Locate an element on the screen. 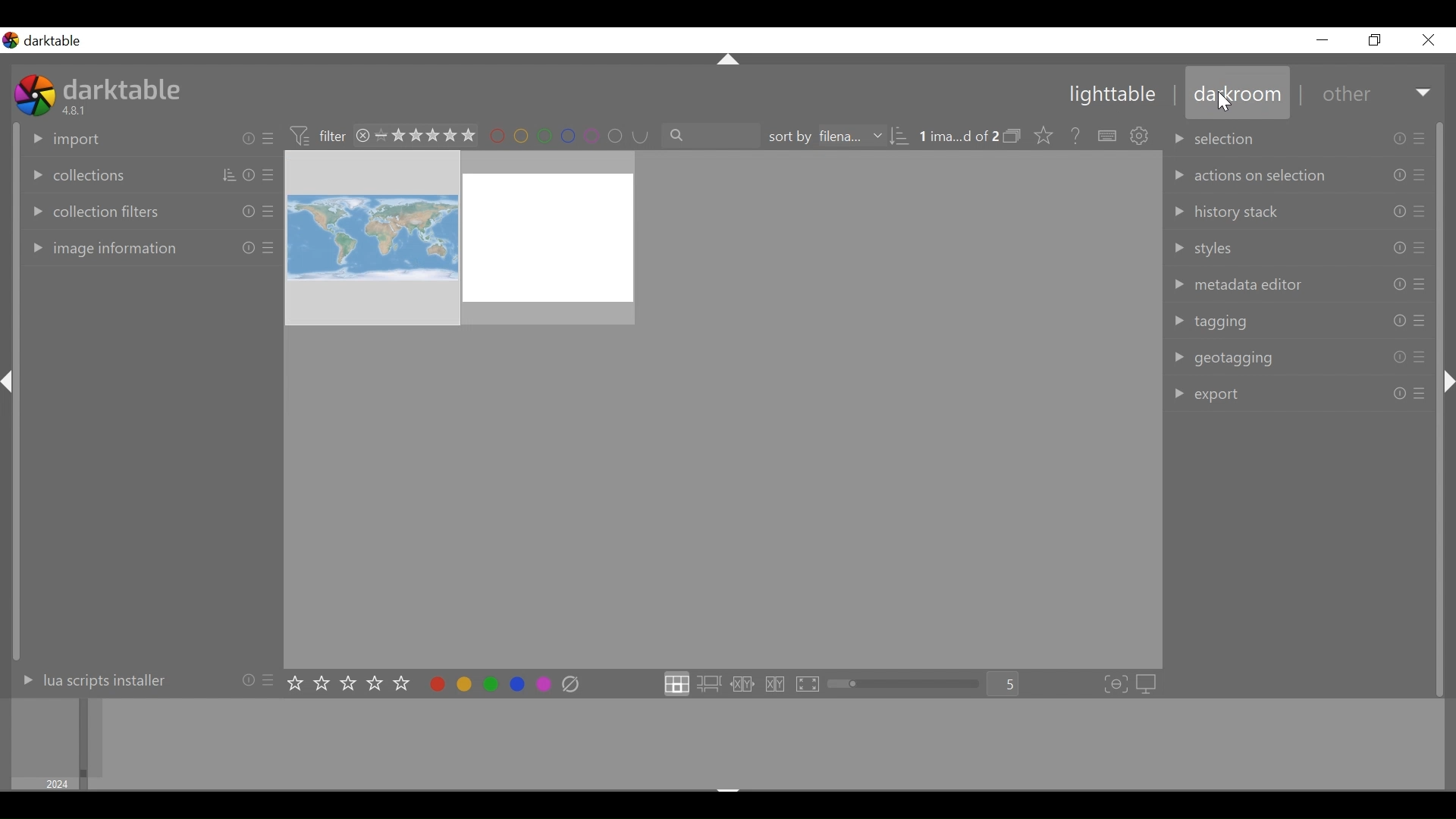  Import is located at coordinates (148, 139).